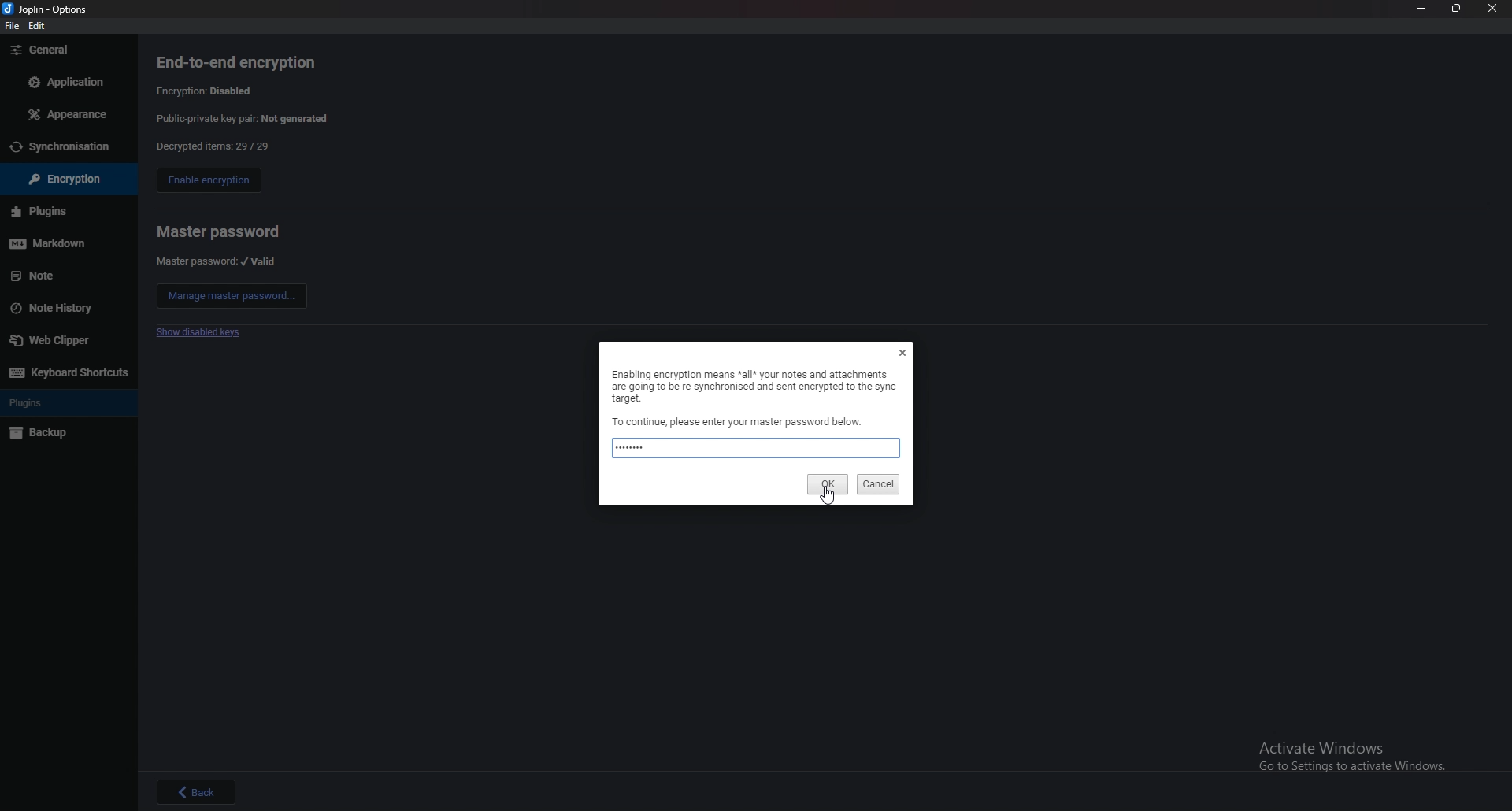  What do you see at coordinates (231, 295) in the screenshot?
I see `manage master password` at bounding box center [231, 295].